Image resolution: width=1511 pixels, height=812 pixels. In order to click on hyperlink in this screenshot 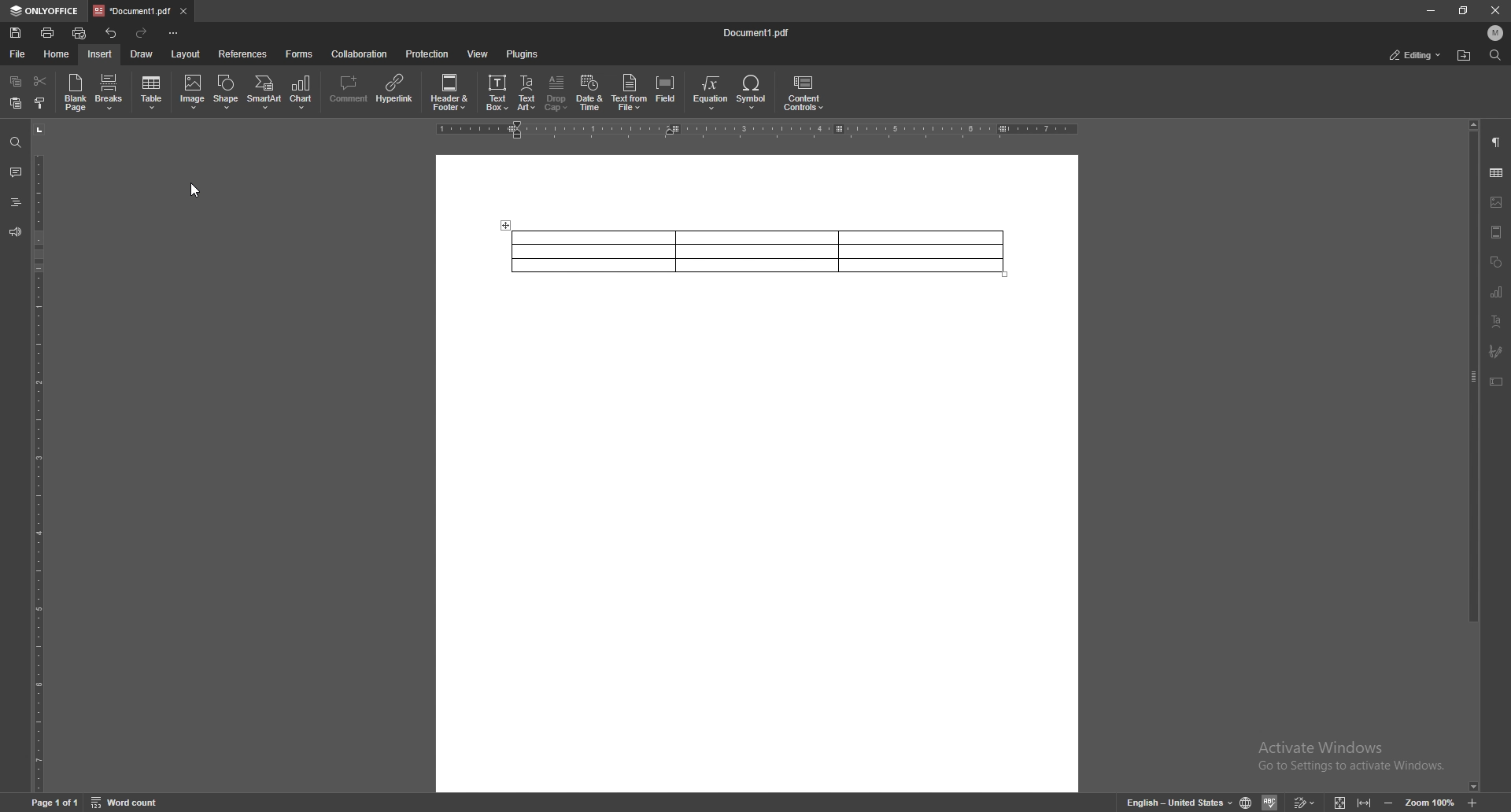, I will do `click(395, 91)`.